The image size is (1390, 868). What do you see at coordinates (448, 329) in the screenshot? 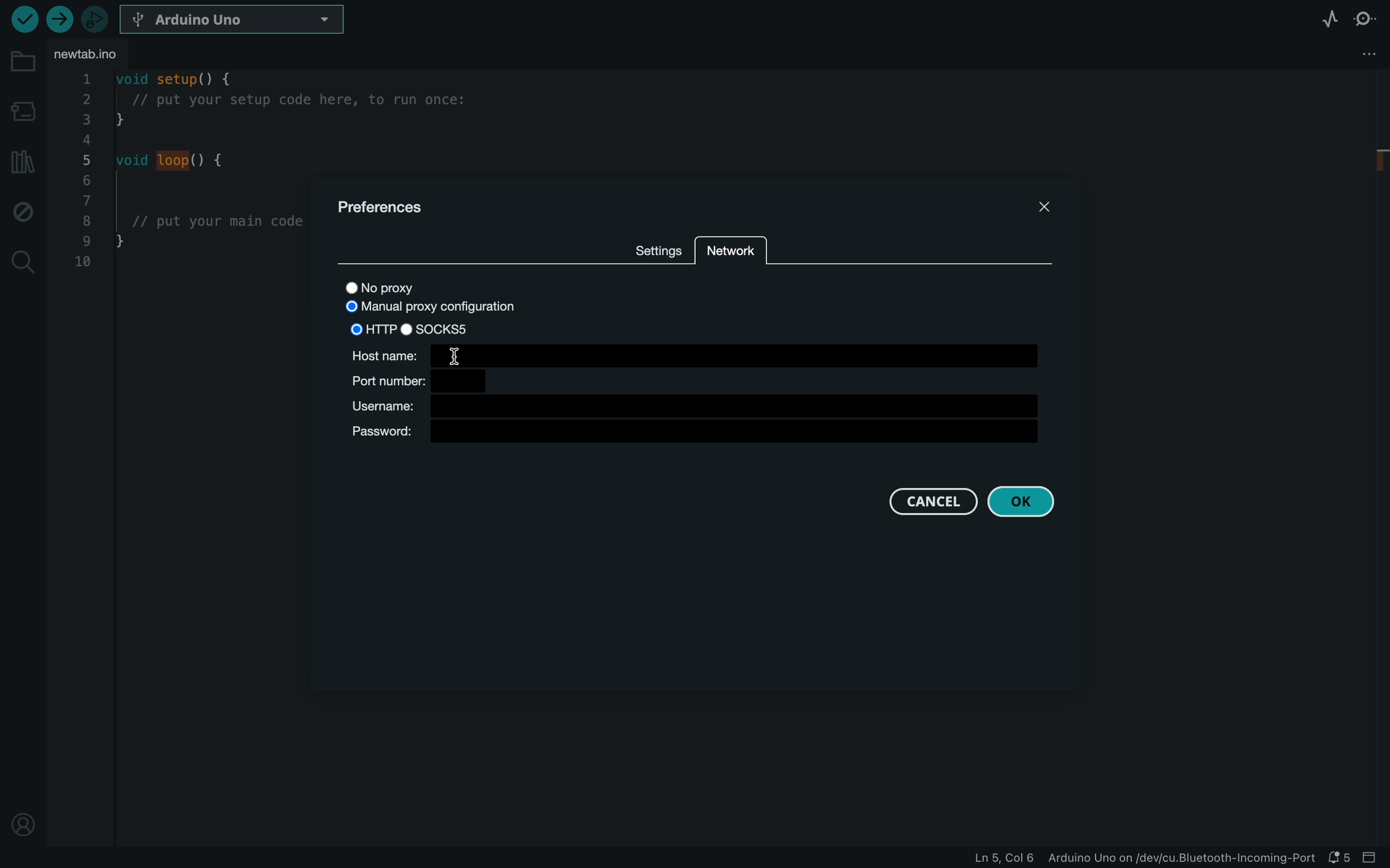
I see `SOCKS5` at bounding box center [448, 329].